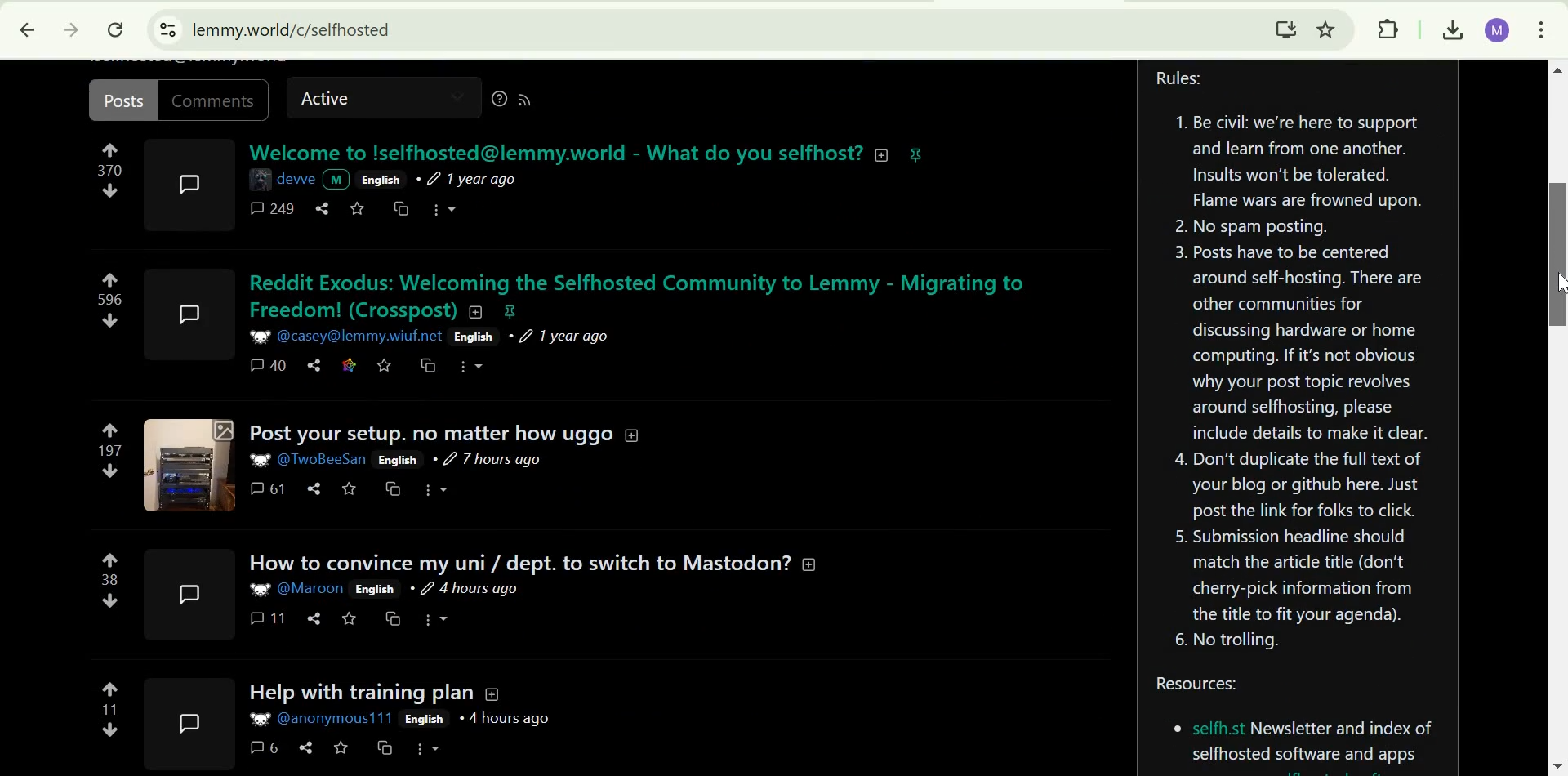  I want to click on 11 points, so click(110, 709).